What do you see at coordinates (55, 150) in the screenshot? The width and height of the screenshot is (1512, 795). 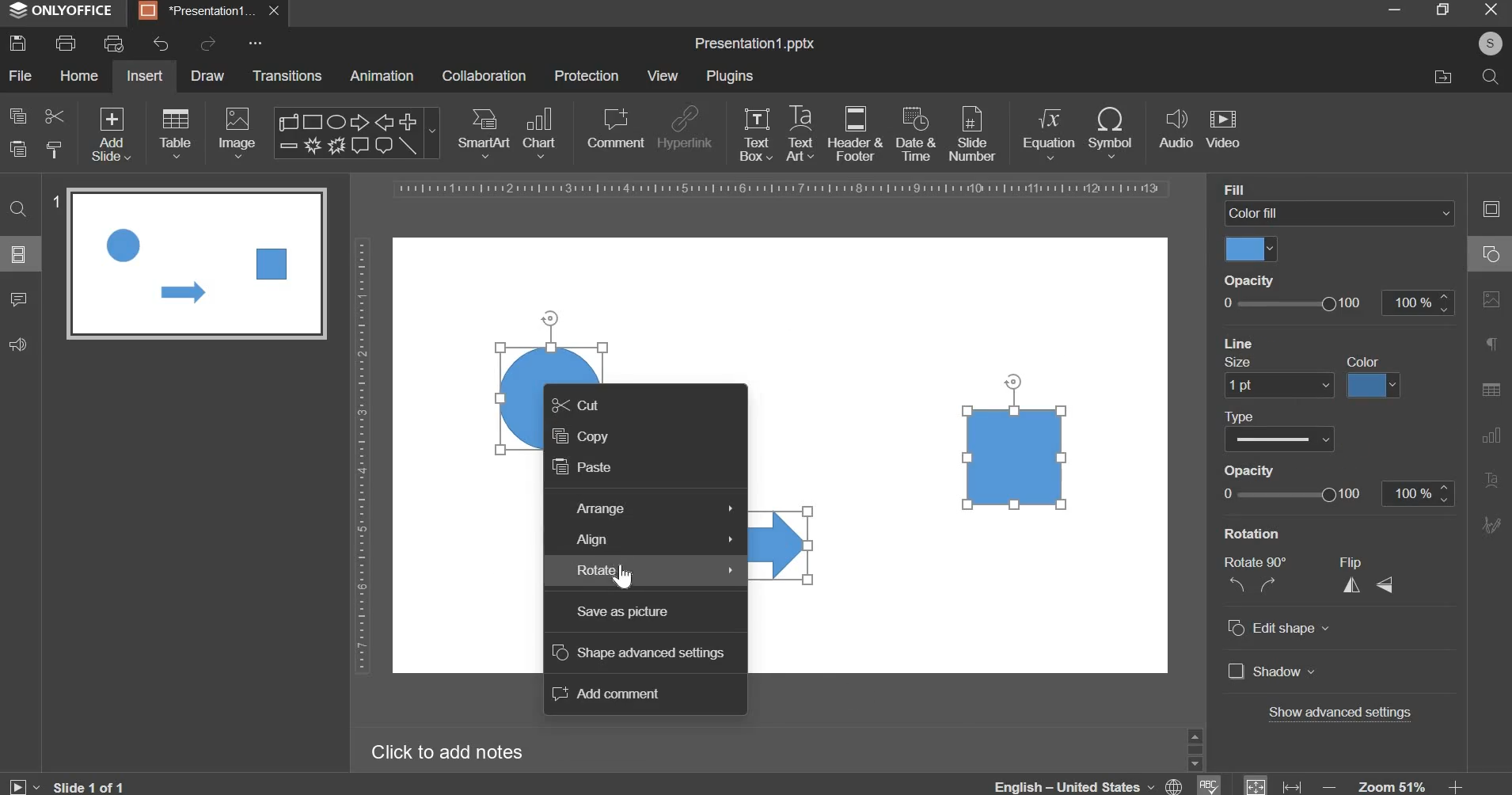 I see `copy style` at bounding box center [55, 150].